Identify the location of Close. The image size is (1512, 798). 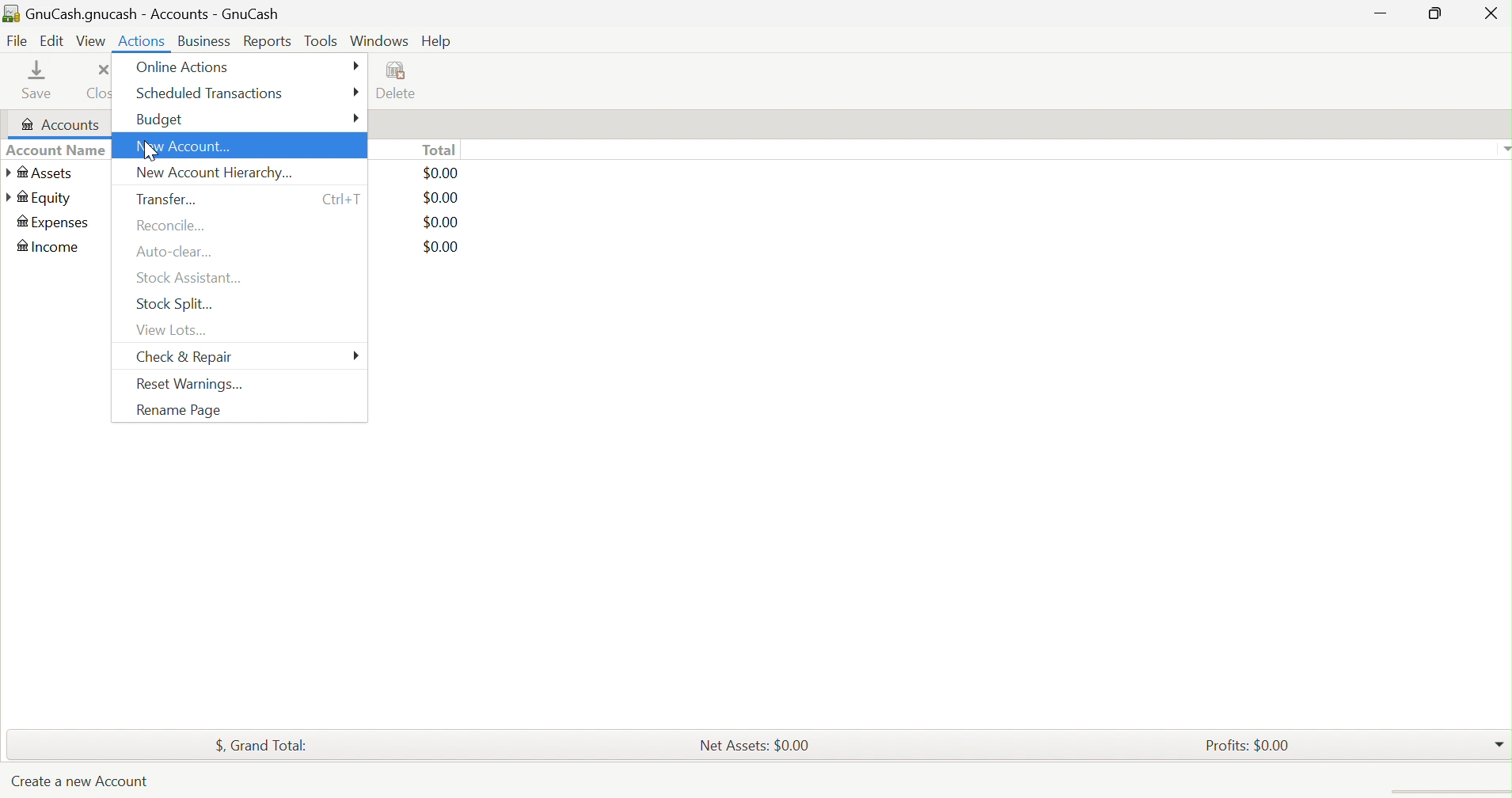
(98, 82).